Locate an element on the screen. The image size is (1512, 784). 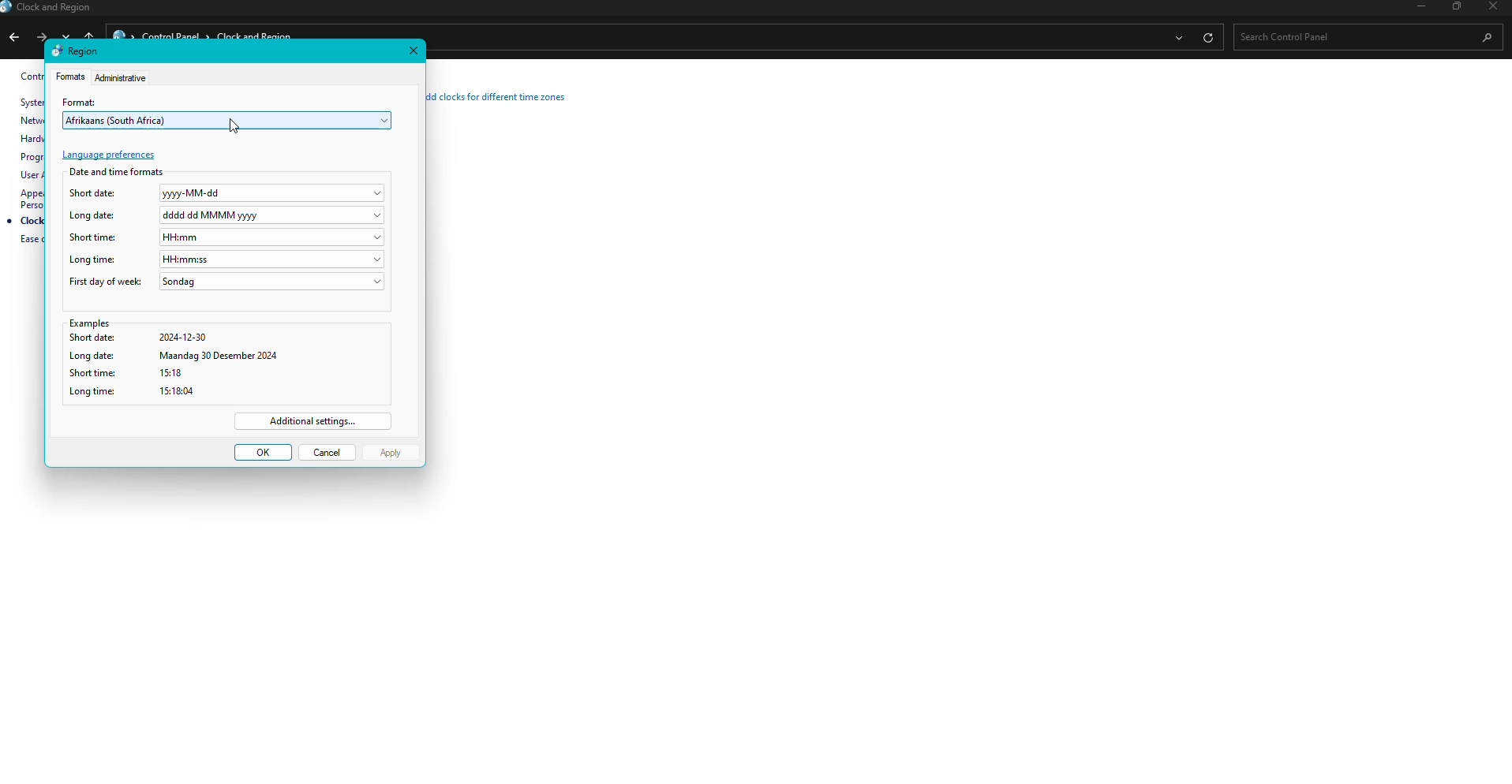
previous is located at coordinates (13, 39).